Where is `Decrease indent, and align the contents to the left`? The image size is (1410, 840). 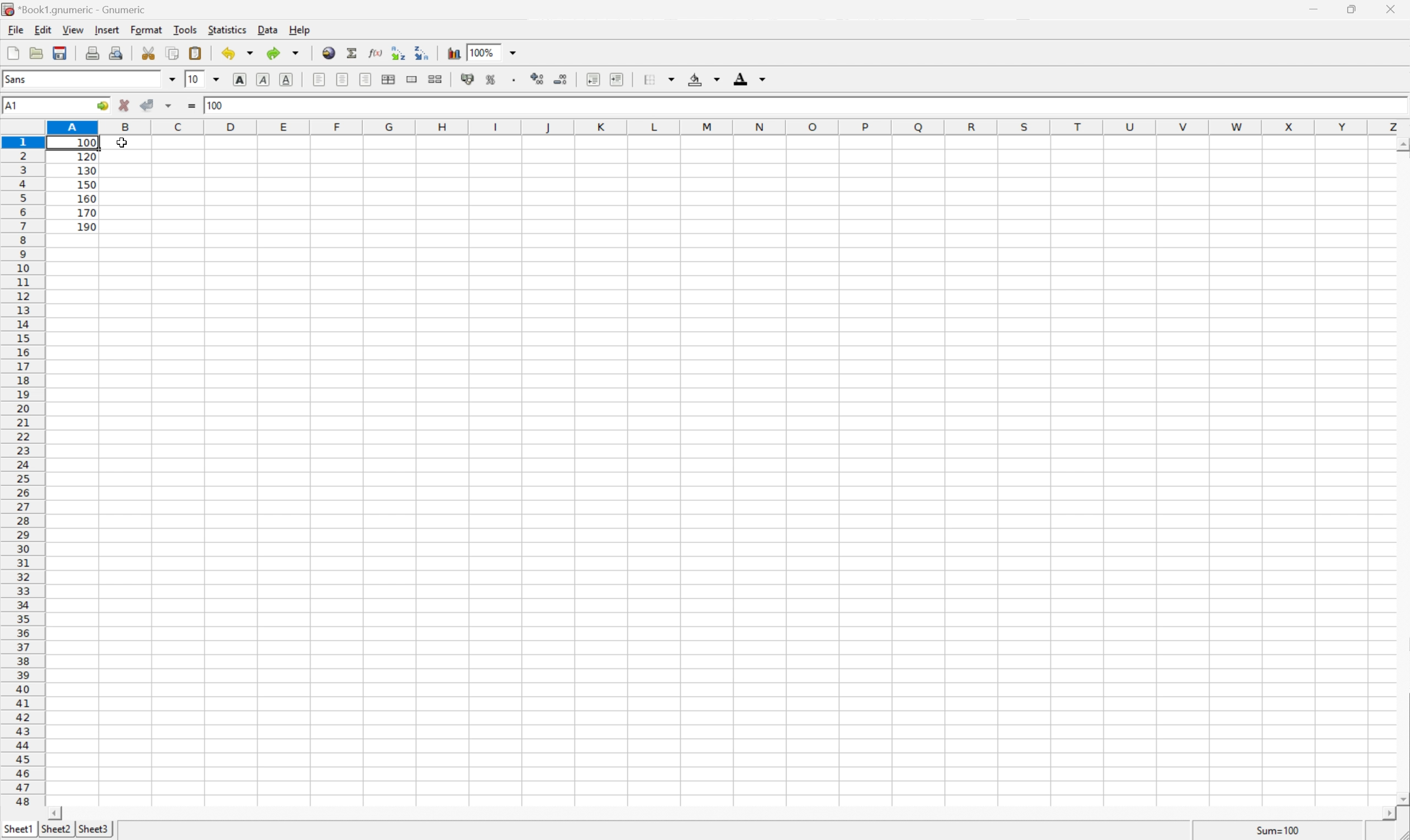 Decrease indent, and align the contents to the left is located at coordinates (592, 79).